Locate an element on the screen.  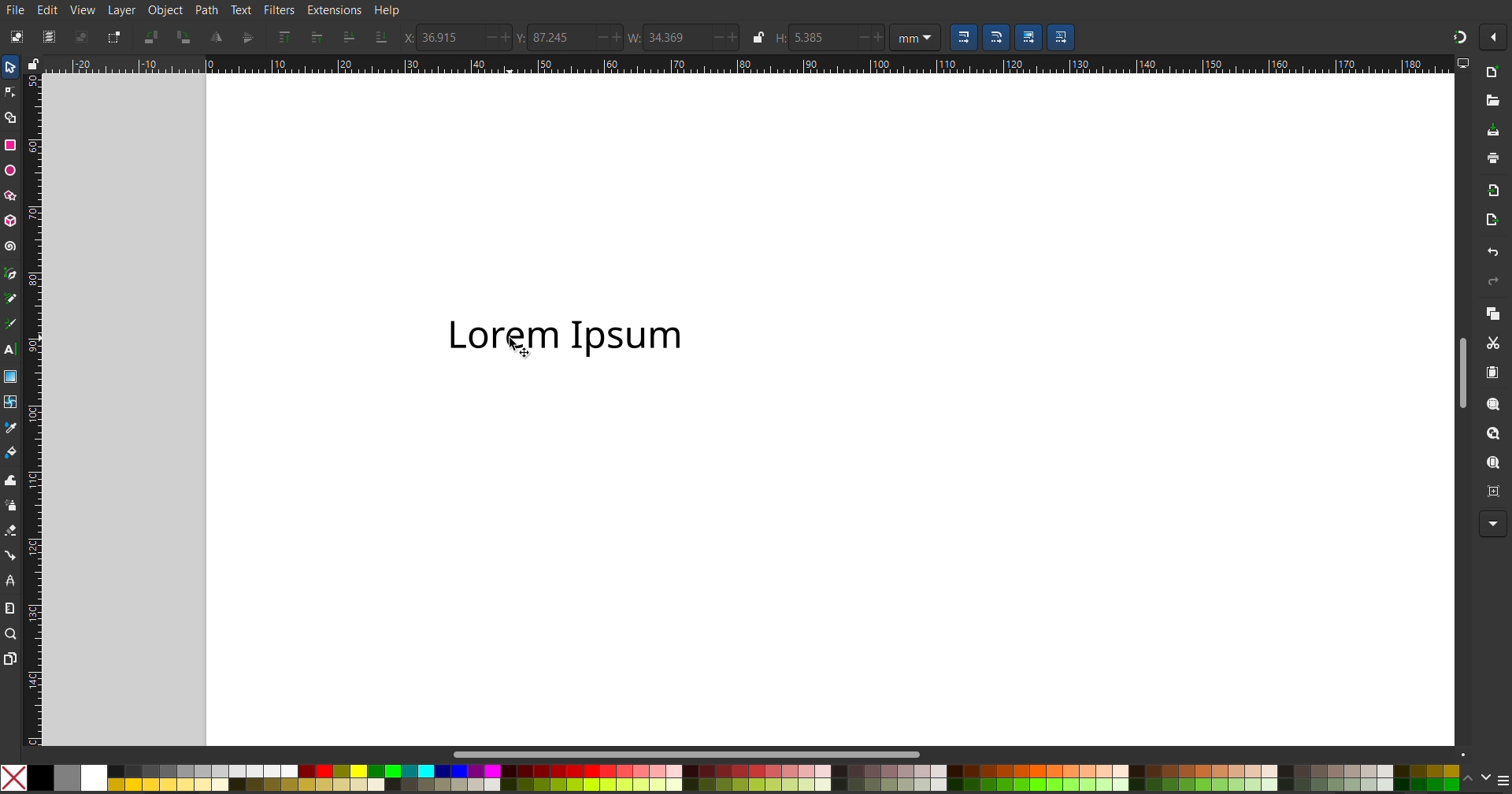
Shape Builder Tool is located at coordinates (10, 119).